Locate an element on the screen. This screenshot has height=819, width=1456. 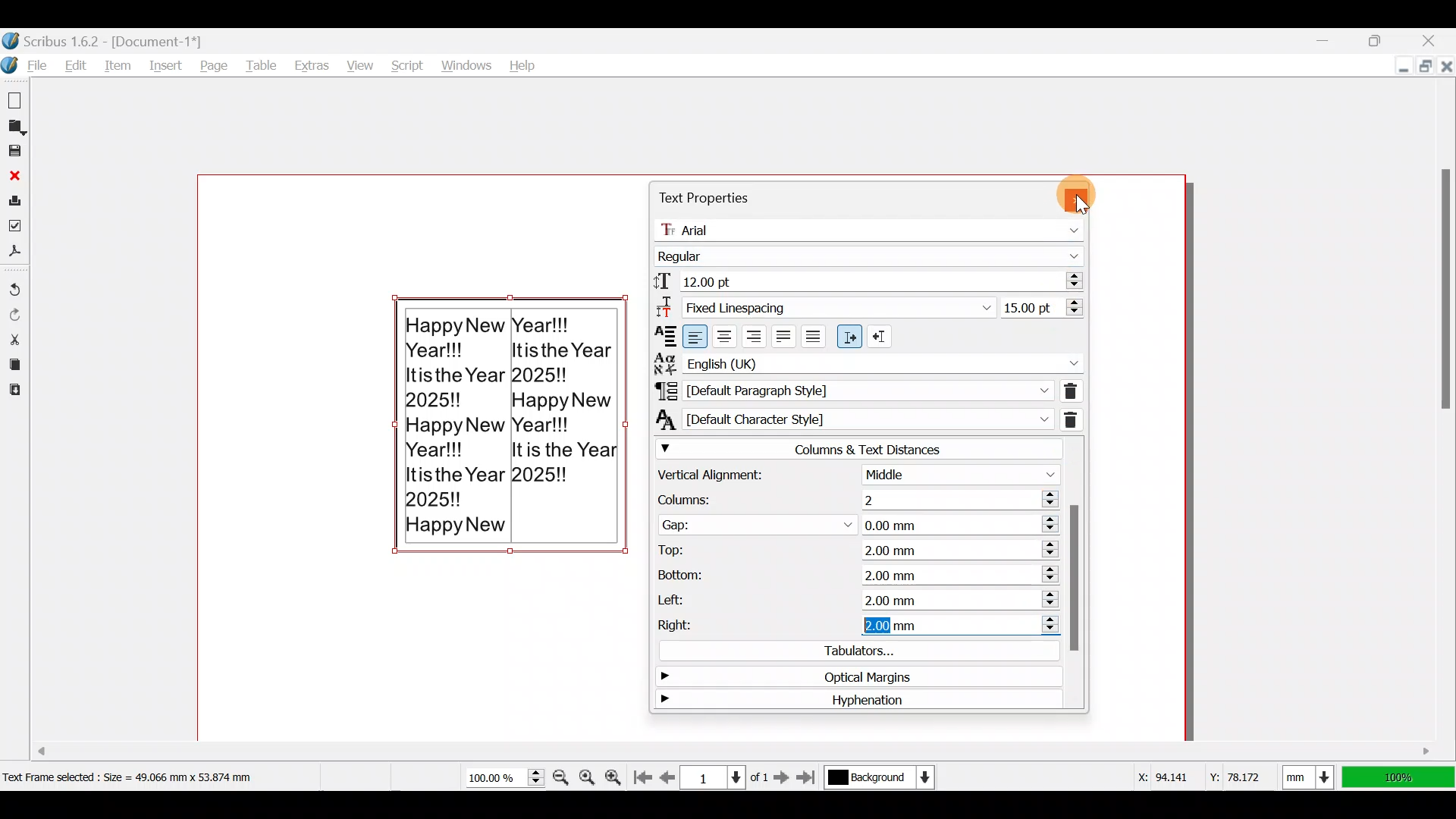
Columns & text distances is located at coordinates (857, 449).